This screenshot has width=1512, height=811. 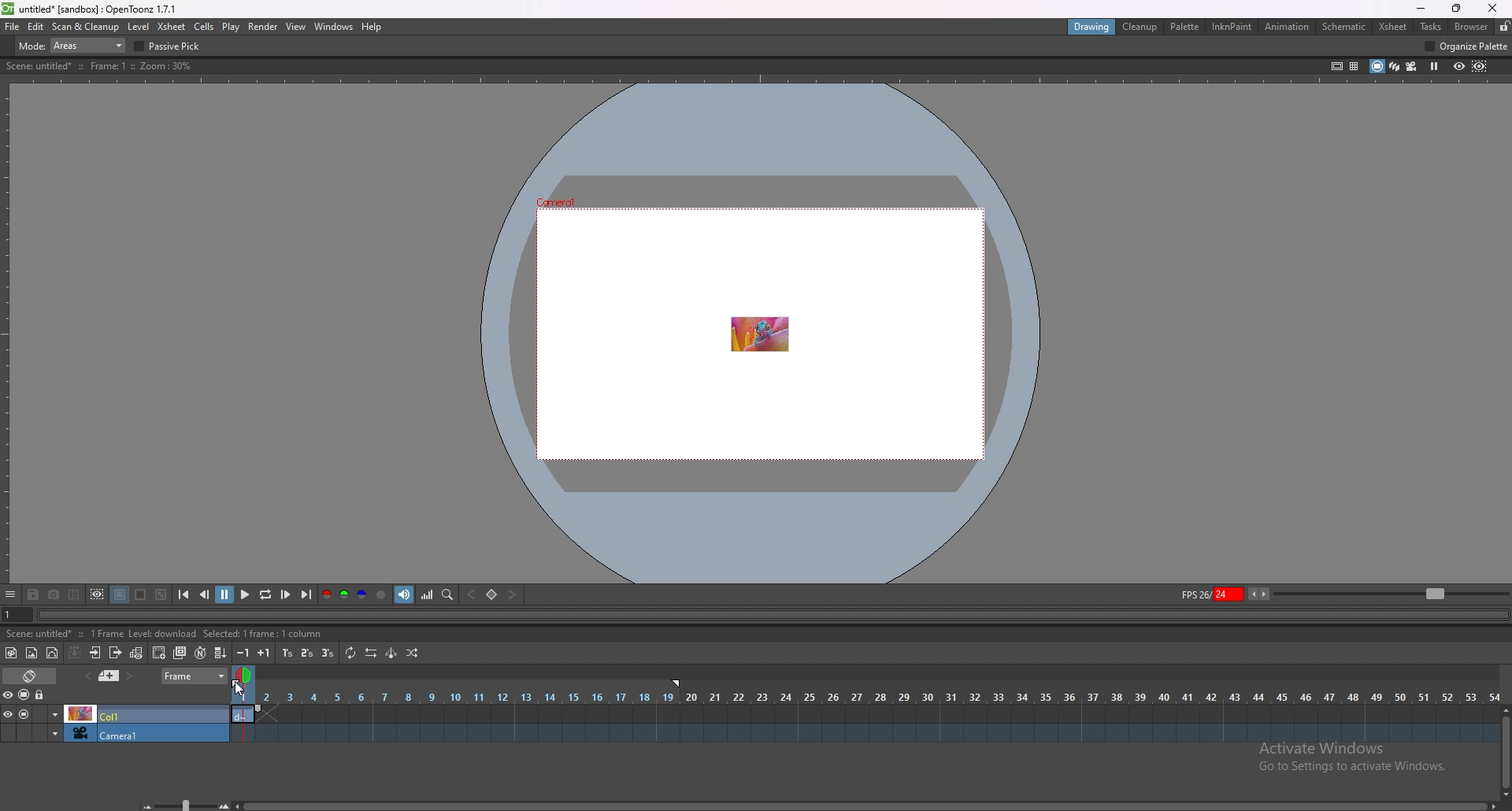 I want to click on drawing, so click(x=1094, y=27).